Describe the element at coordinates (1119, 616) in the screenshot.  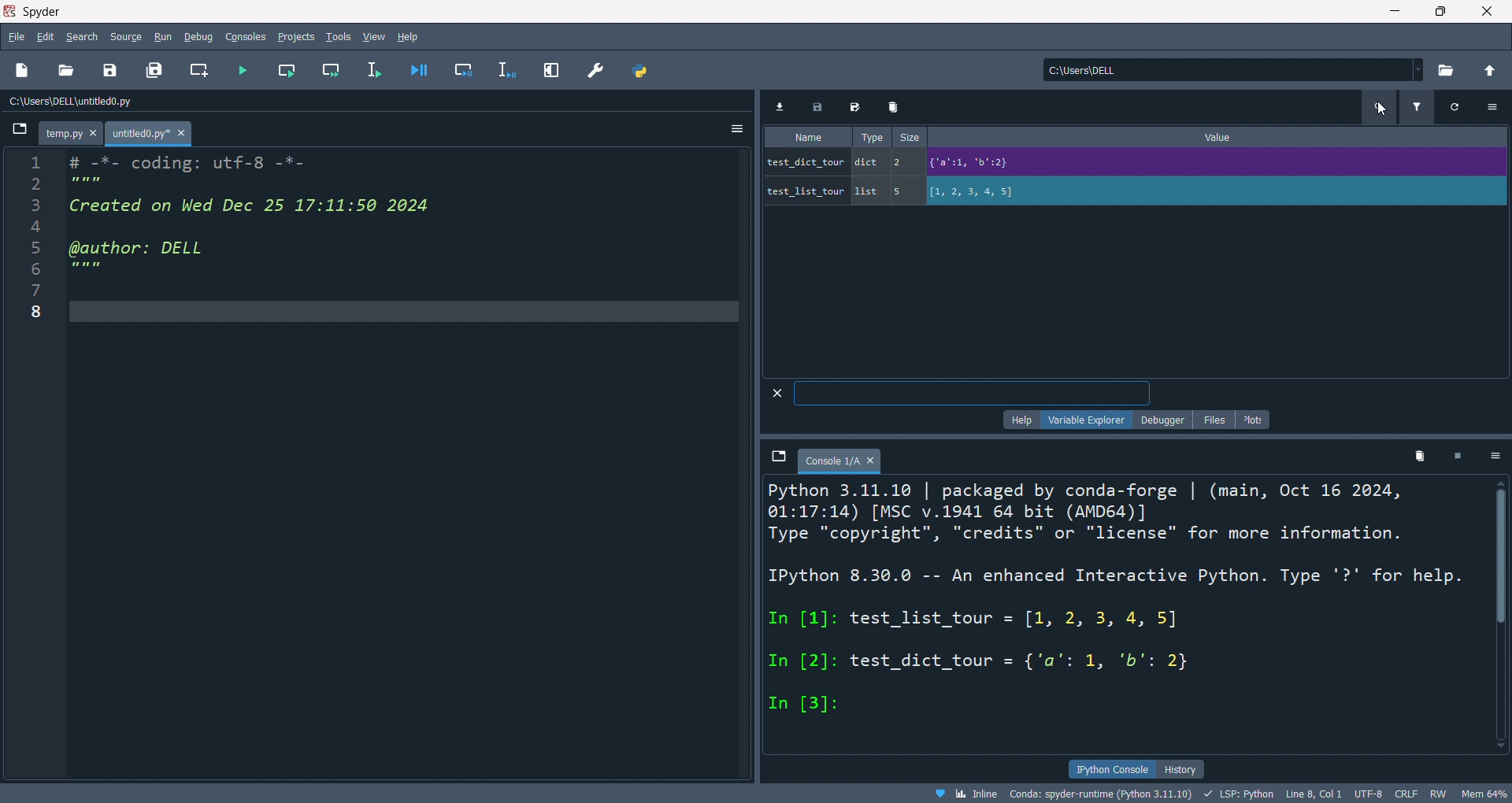
I see `ipython concole pane` at that location.